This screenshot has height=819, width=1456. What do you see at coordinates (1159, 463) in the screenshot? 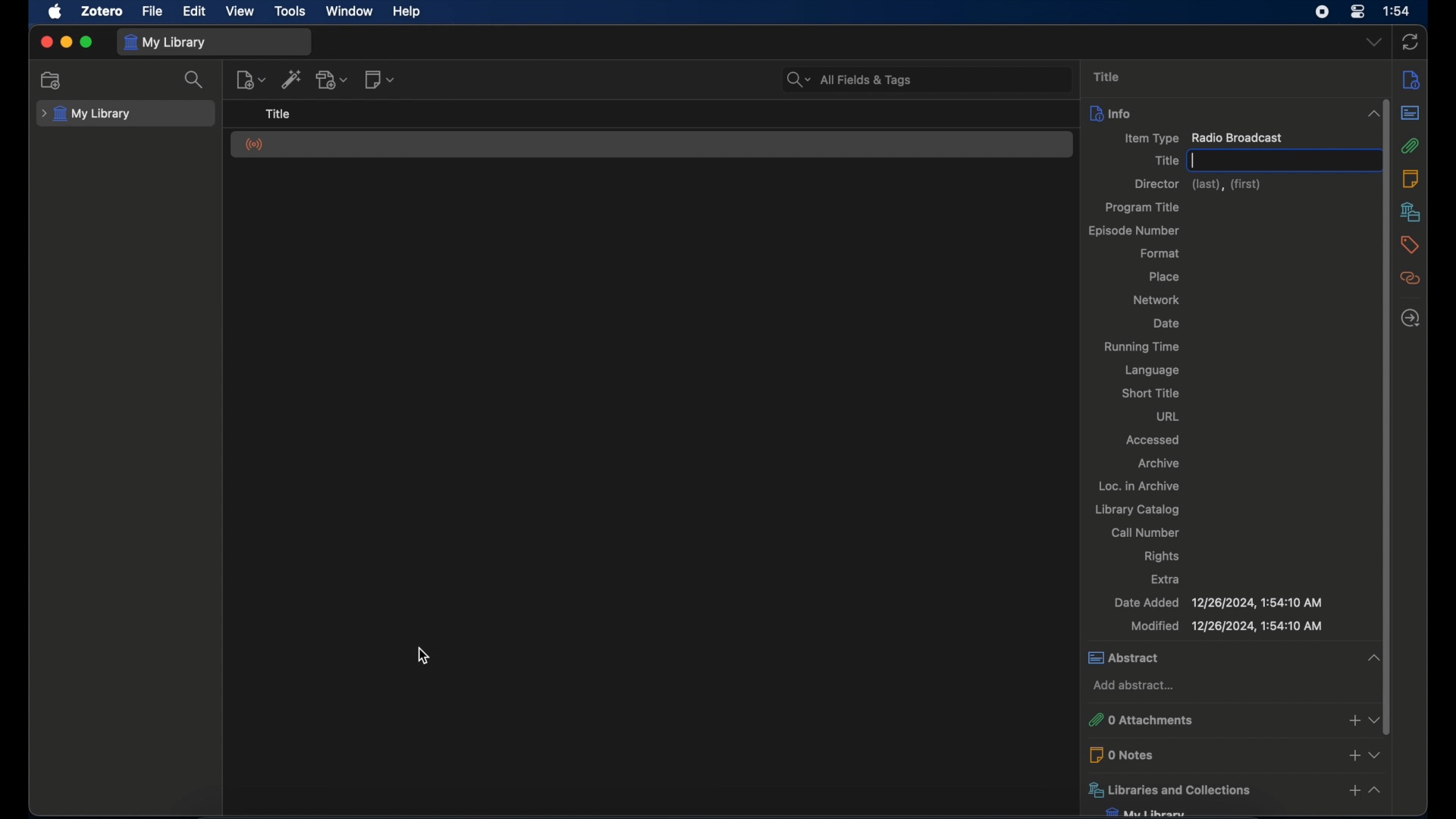
I see `archive` at bounding box center [1159, 463].